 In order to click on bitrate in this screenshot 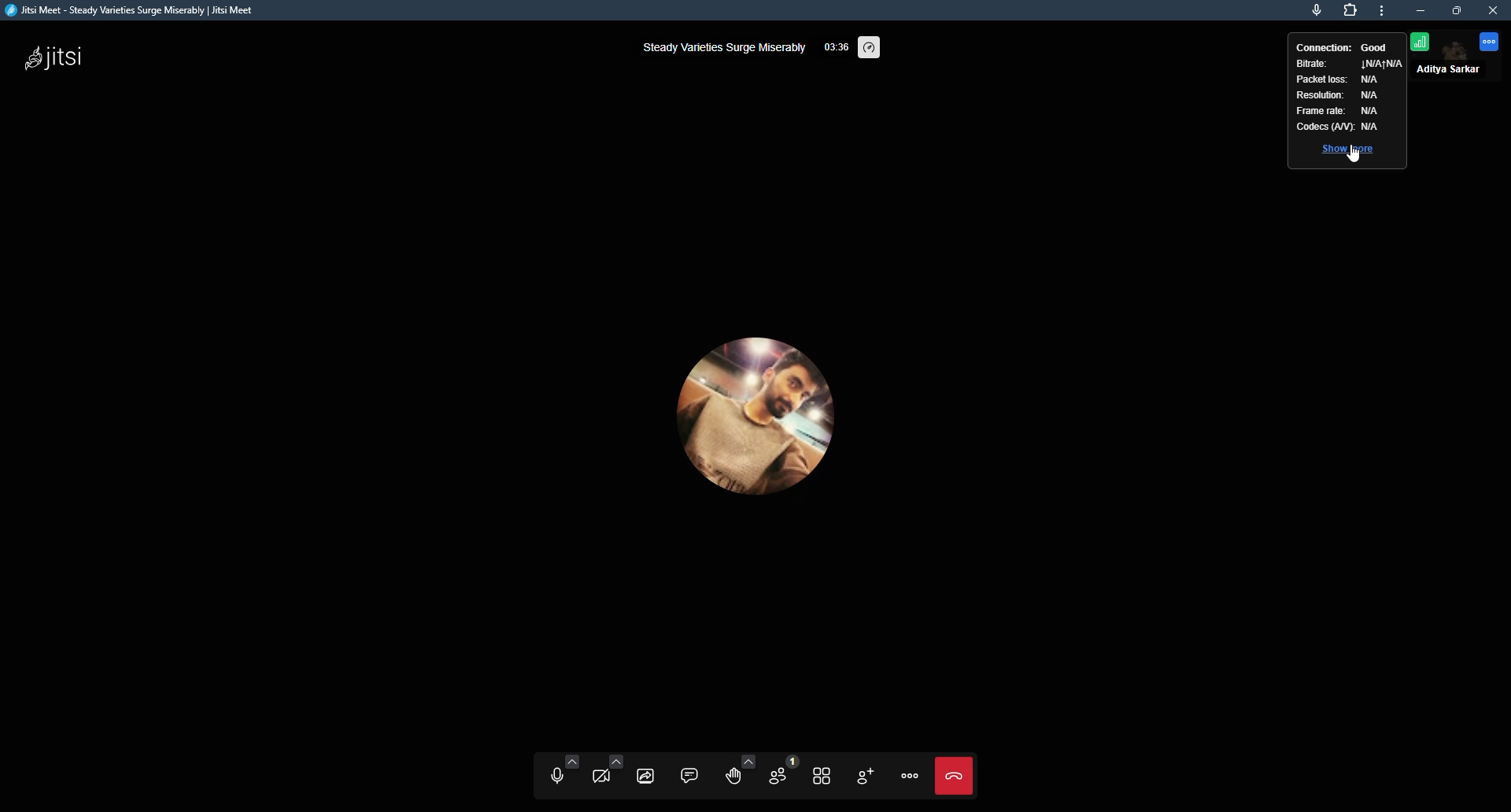, I will do `click(1310, 64)`.